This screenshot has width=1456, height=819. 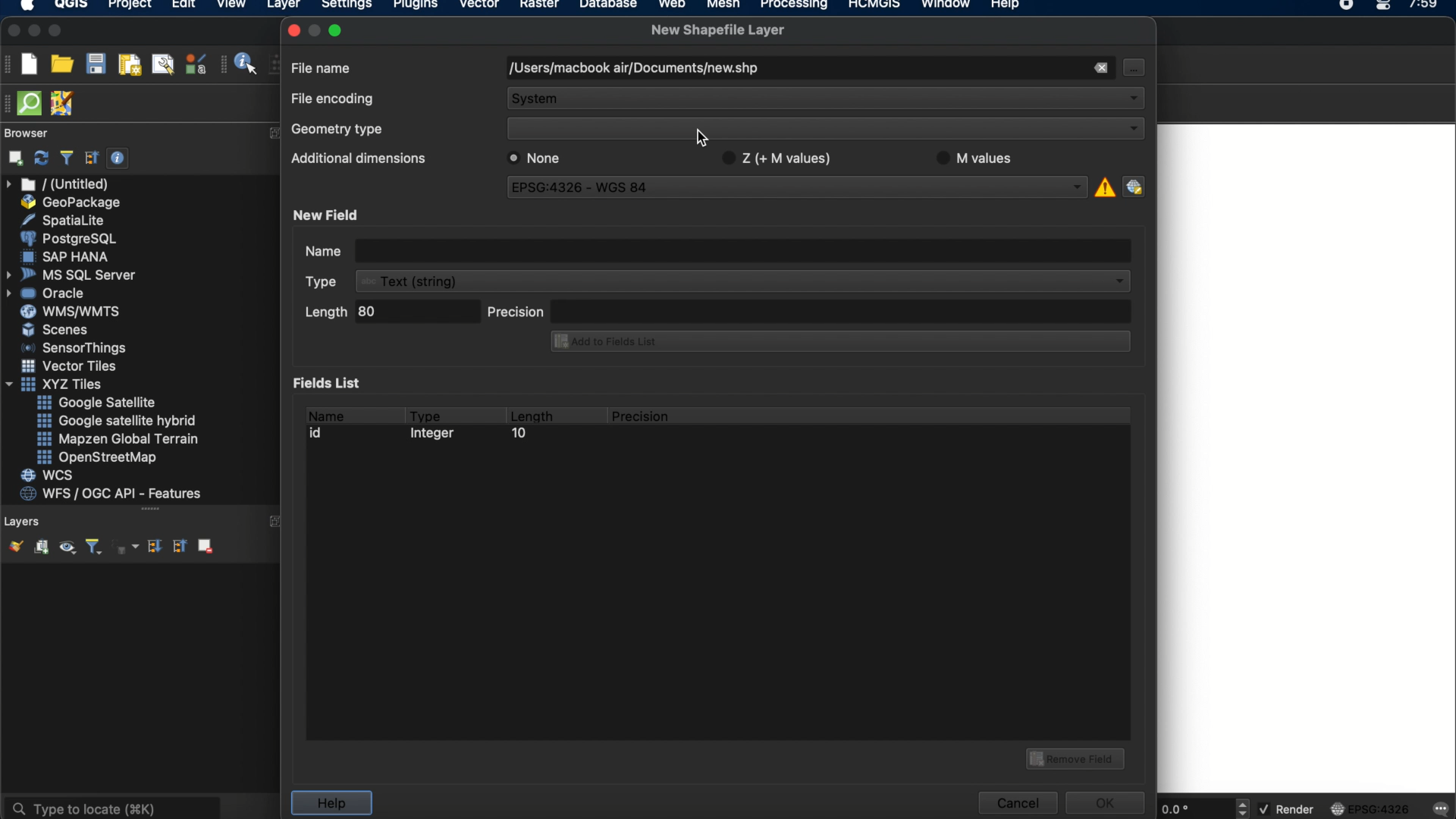 What do you see at coordinates (293, 30) in the screenshot?
I see `close` at bounding box center [293, 30].